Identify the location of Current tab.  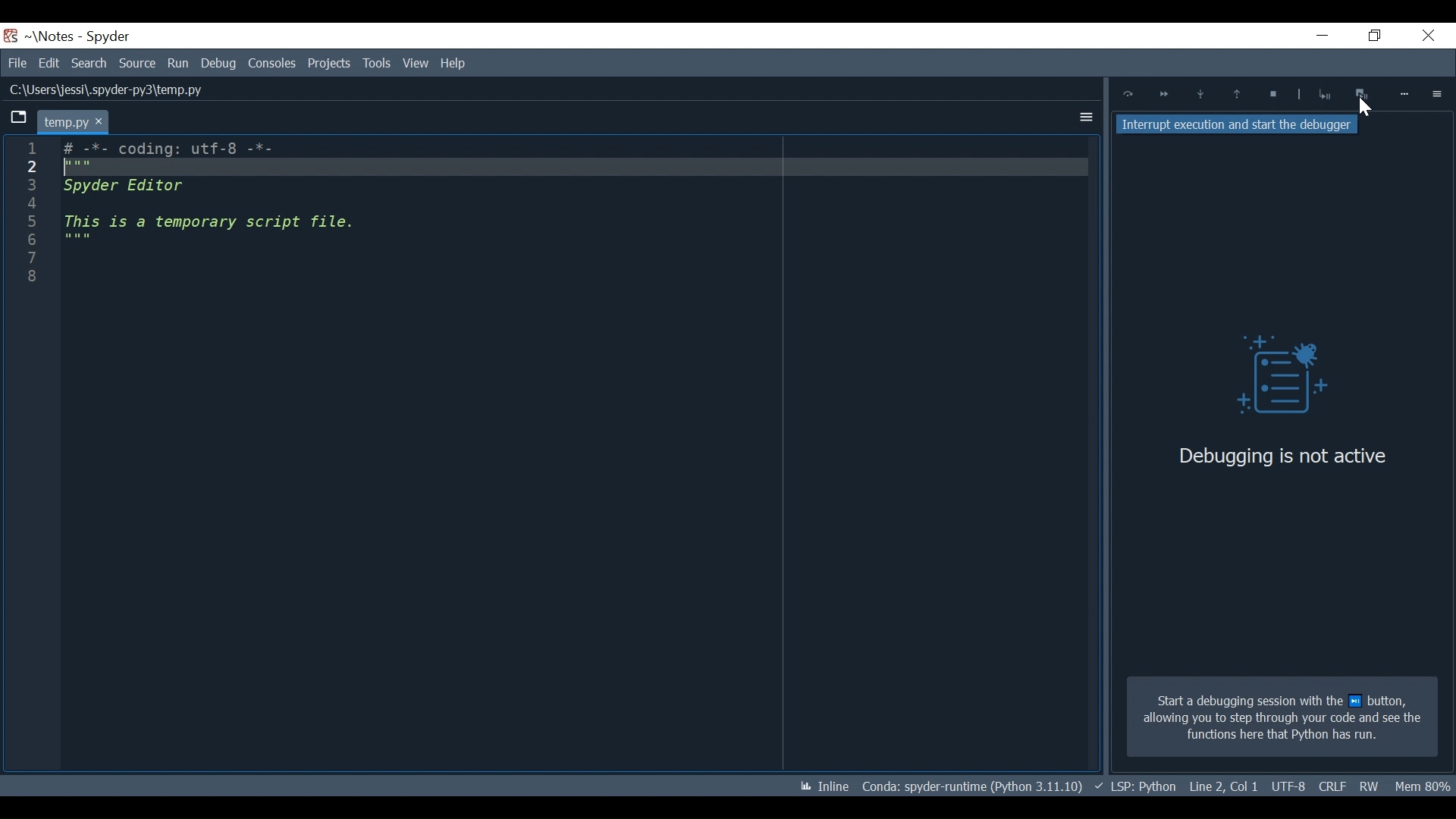
(72, 121).